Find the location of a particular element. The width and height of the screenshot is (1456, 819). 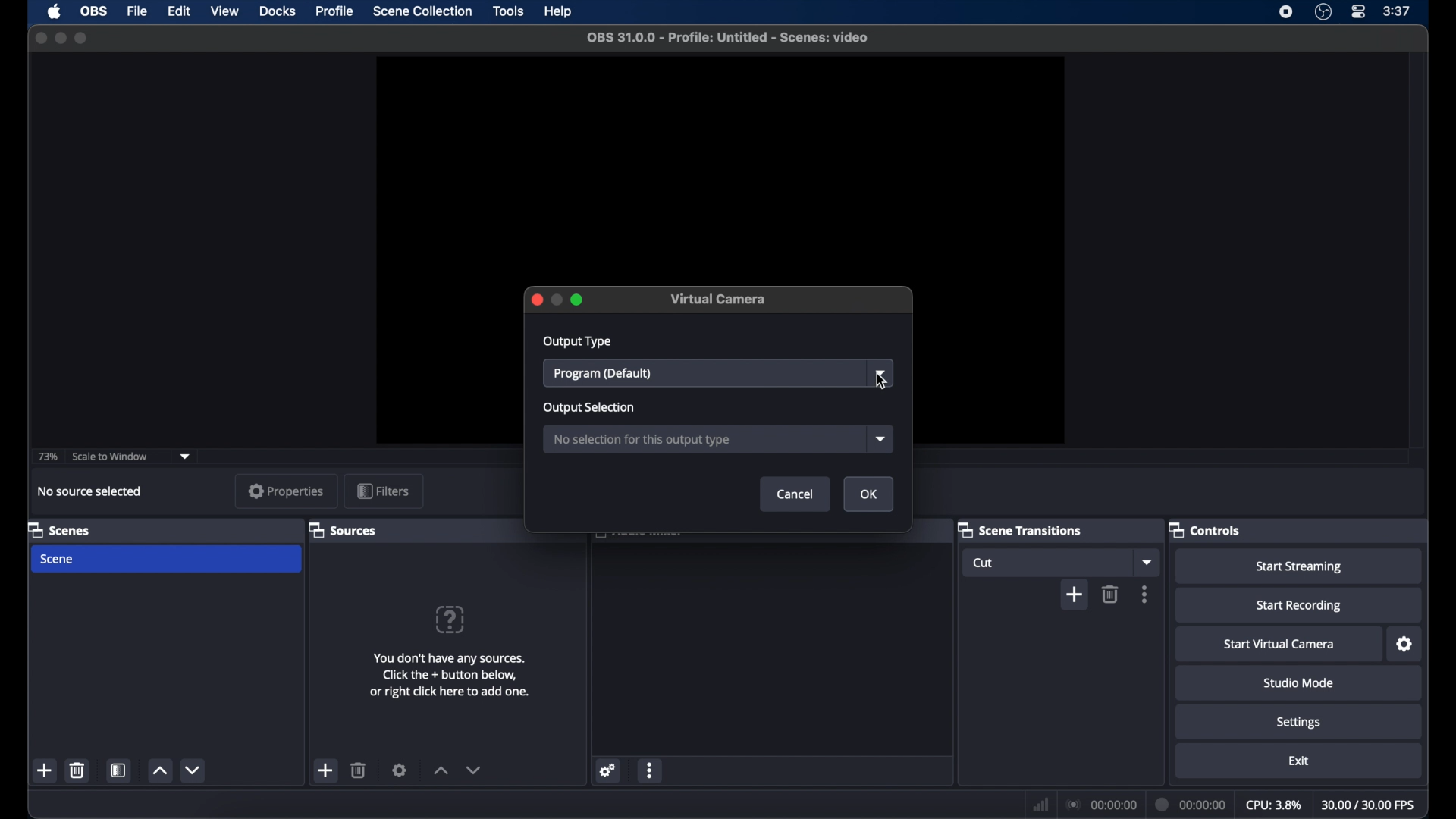

help is located at coordinates (557, 13).